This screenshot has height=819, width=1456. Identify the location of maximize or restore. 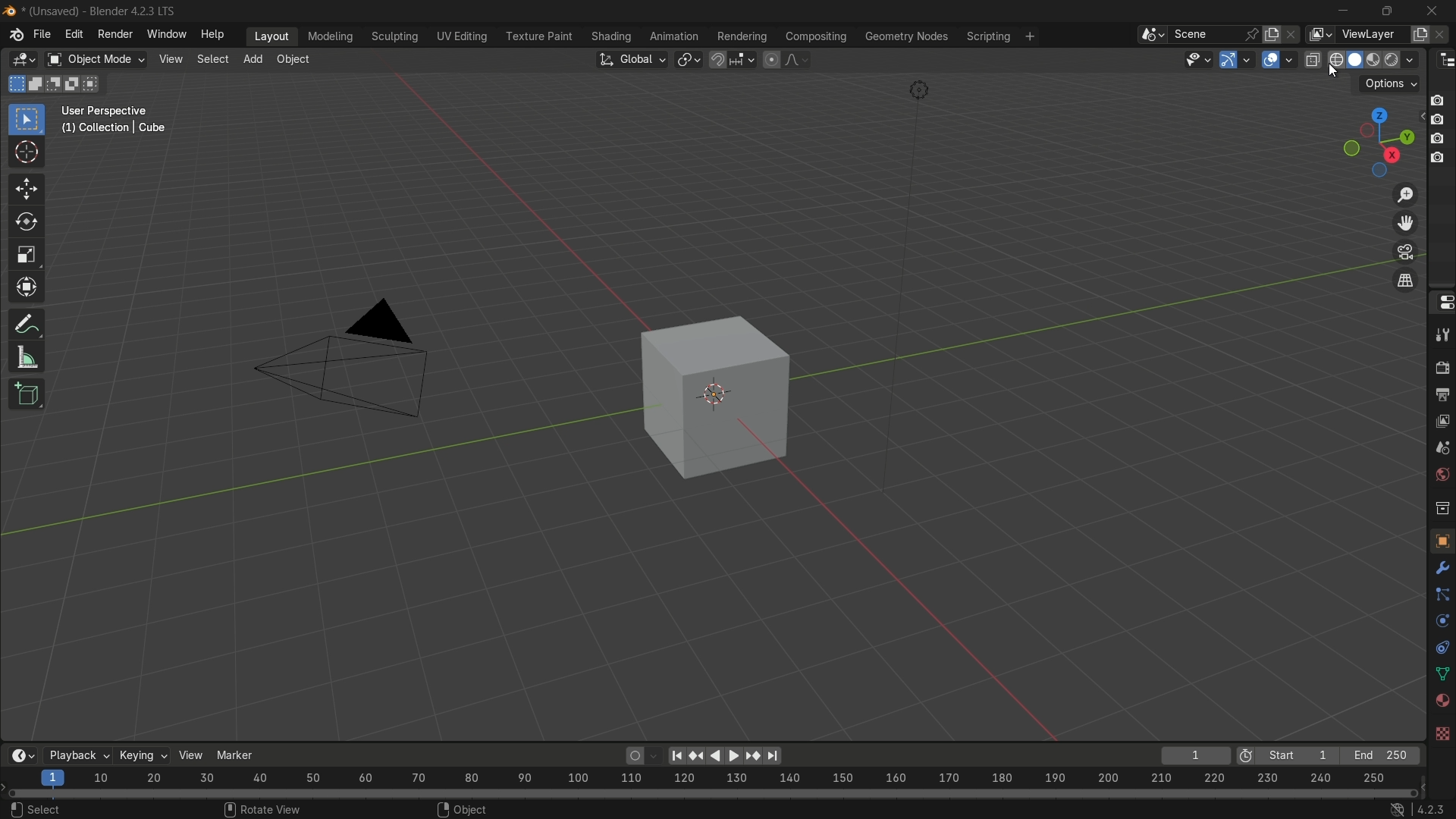
(1385, 11).